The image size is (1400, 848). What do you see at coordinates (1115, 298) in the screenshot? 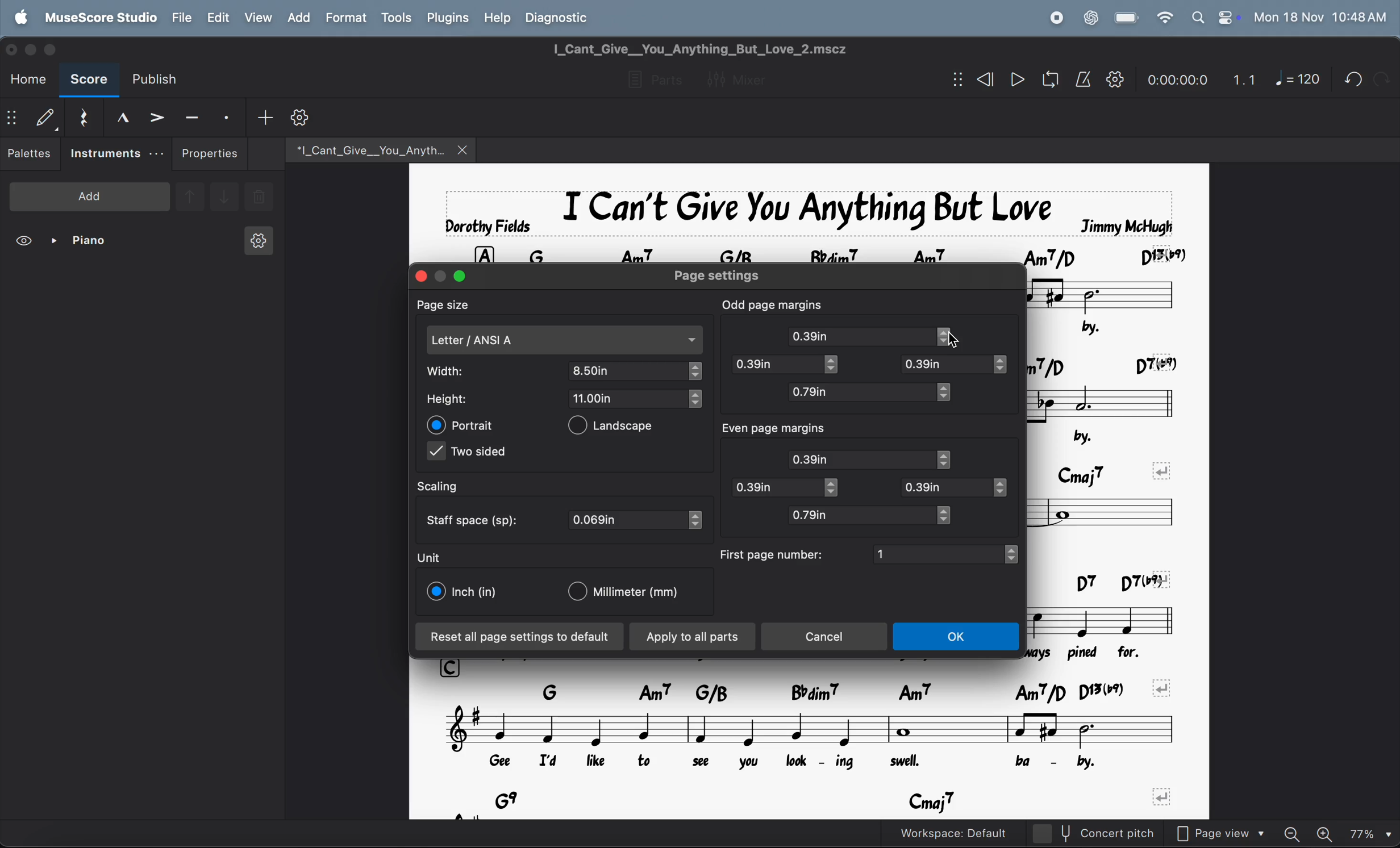
I see `notes` at bounding box center [1115, 298].